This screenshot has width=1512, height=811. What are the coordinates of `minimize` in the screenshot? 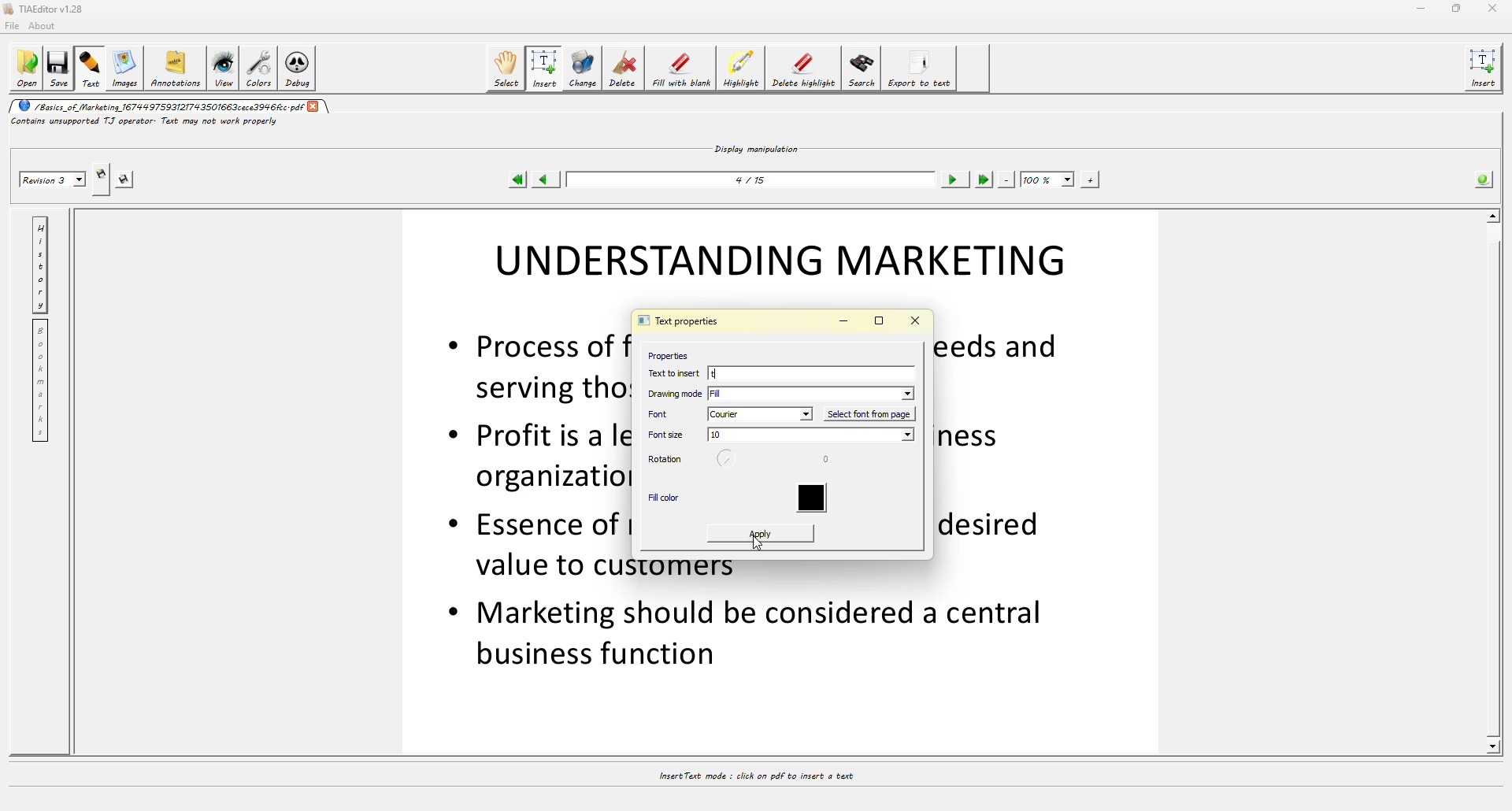 It's located at (1418, 9).